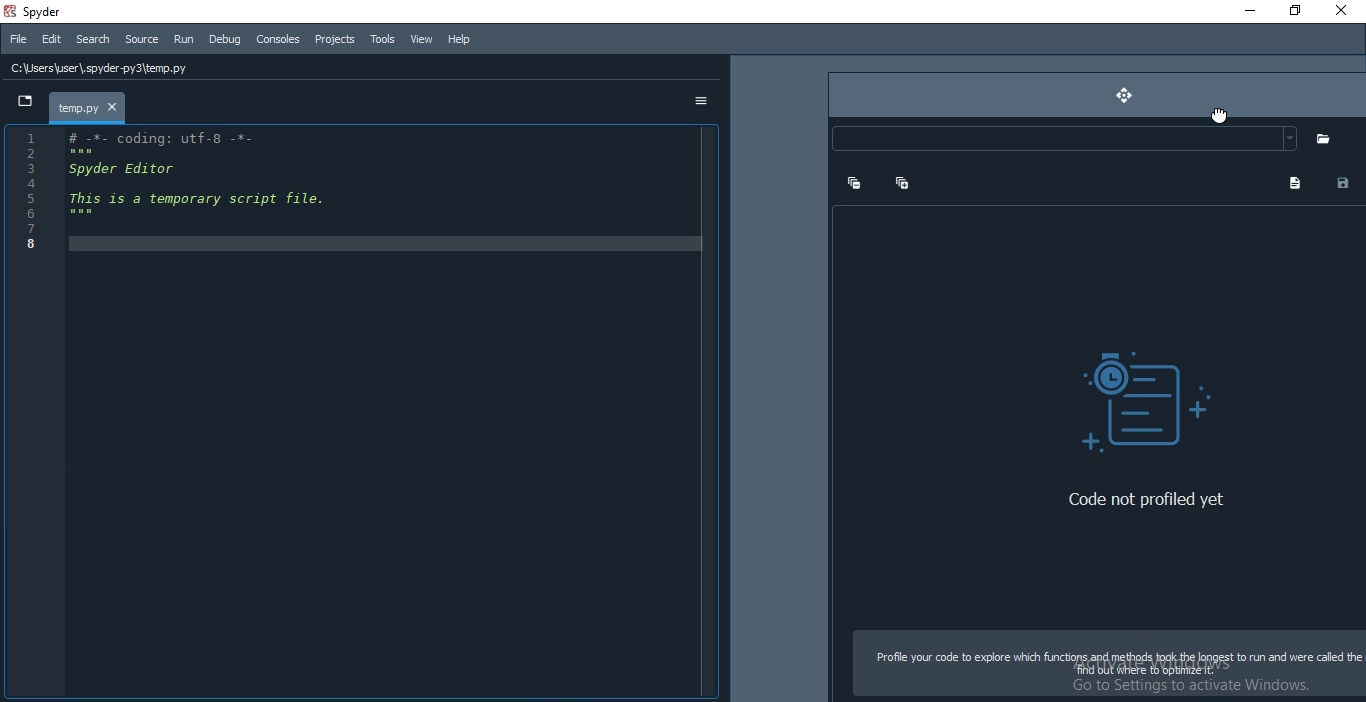  I want to click on Projects, so click(333, 40).